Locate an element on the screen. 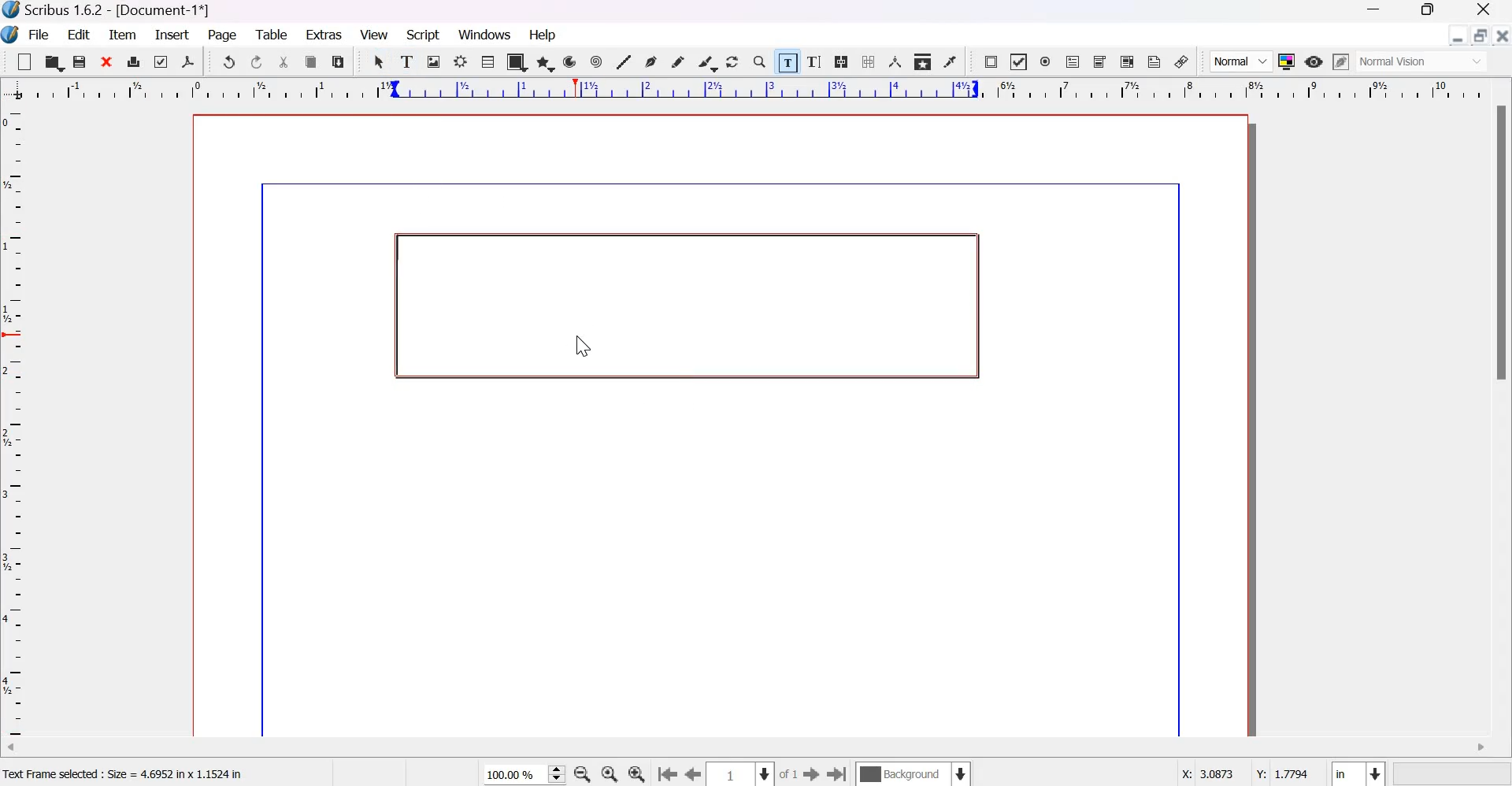 Image resolution: width=1512 pixels, height=786 pixels. copy item properties is located at coordinates (923, 61).